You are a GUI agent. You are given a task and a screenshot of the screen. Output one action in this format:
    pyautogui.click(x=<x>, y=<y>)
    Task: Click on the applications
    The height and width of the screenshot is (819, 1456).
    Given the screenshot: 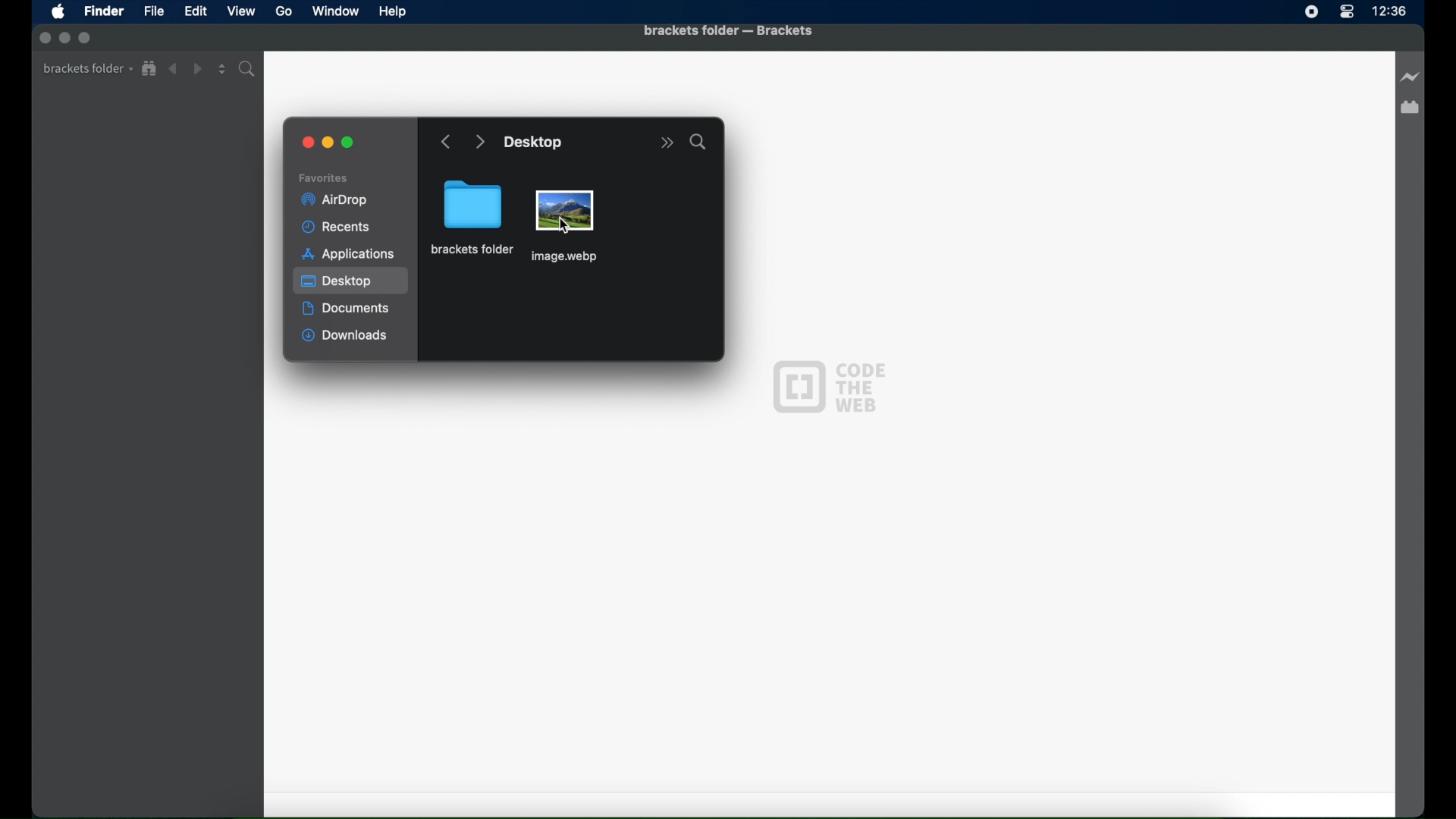 What is the action you would take?
    pyautogui.click(x=348, y=254)
    